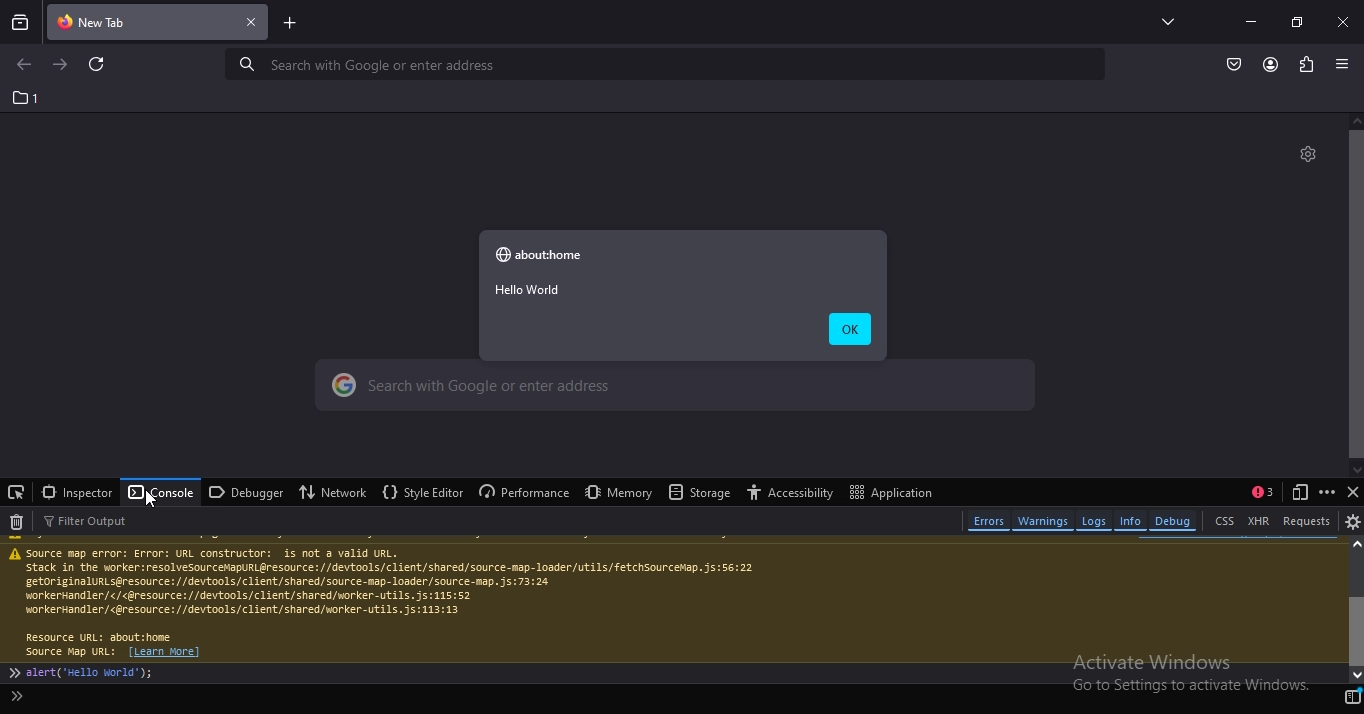  Describe the element at coordinates (1163, 21) in the screenshot. I see `list all tabs` at that location.